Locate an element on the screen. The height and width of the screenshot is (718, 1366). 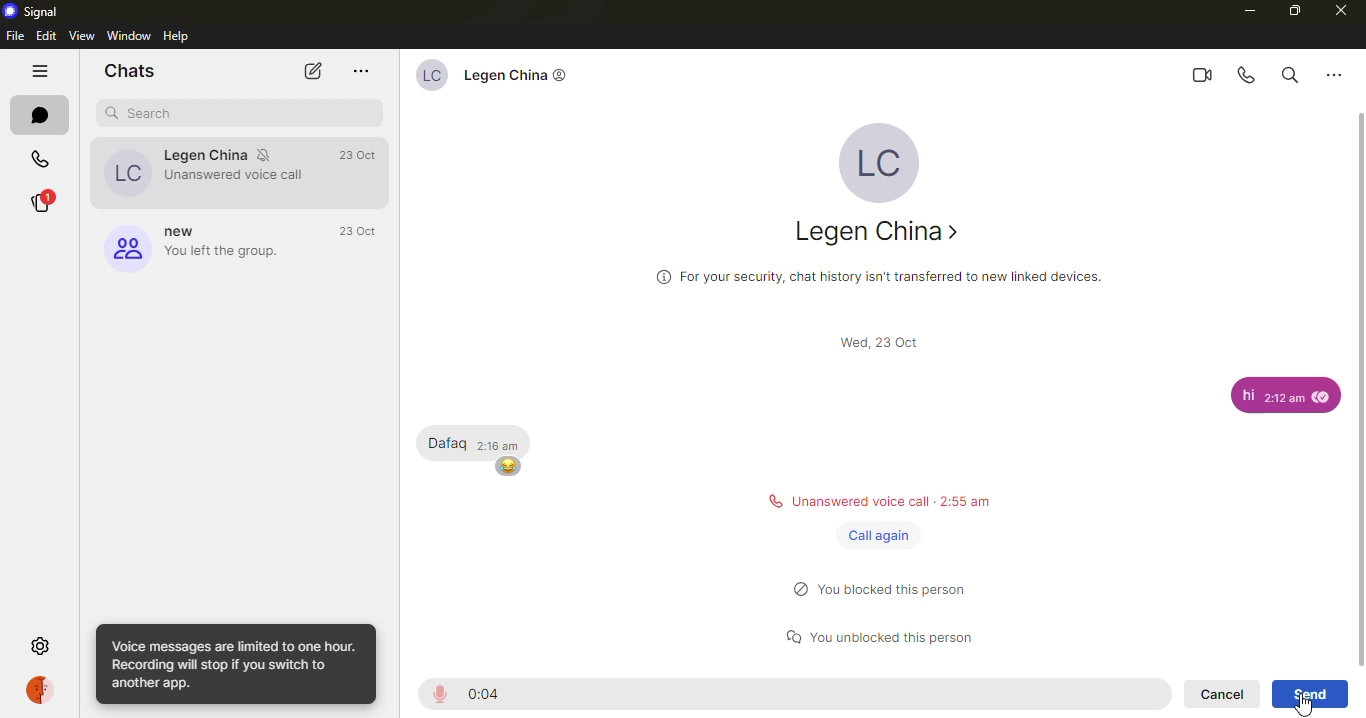
profile is located at coordinates (36, 689).